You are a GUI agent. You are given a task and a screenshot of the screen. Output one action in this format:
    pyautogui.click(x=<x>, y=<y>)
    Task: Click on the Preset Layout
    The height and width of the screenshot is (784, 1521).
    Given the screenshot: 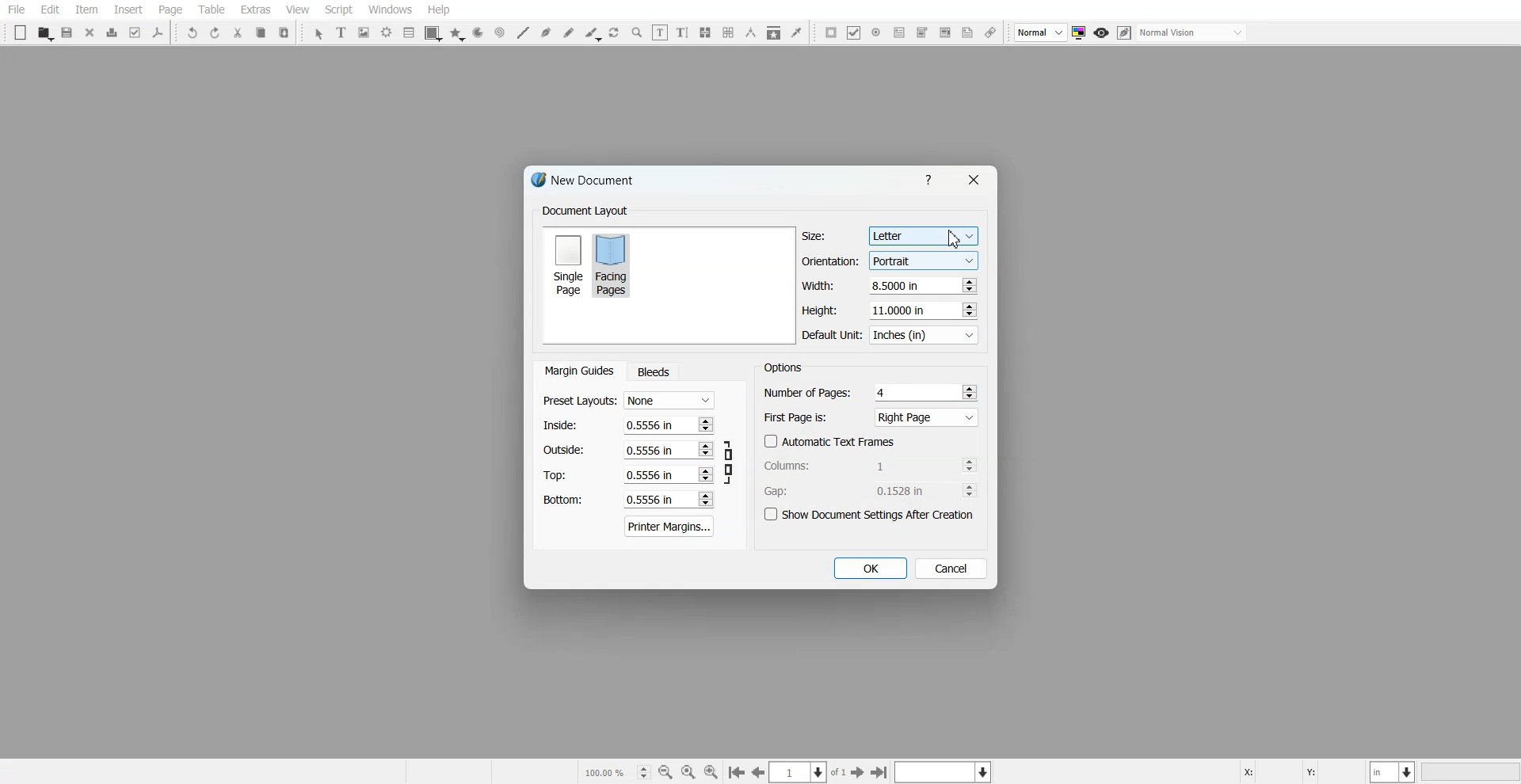 What is the action you would take?
    pyautogui.click(x=628, y=401)
    